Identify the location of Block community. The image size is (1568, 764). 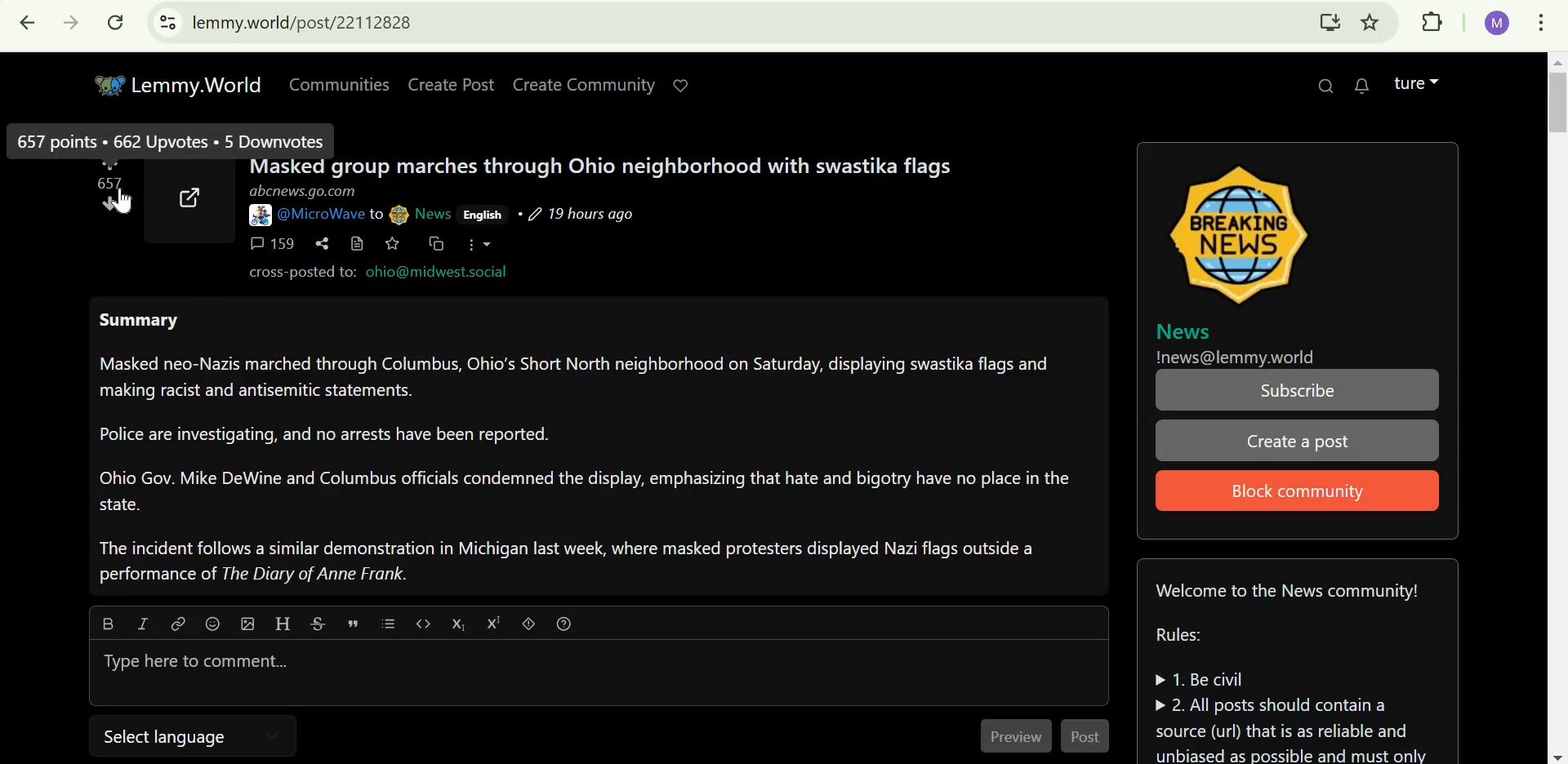
(1294, 491).